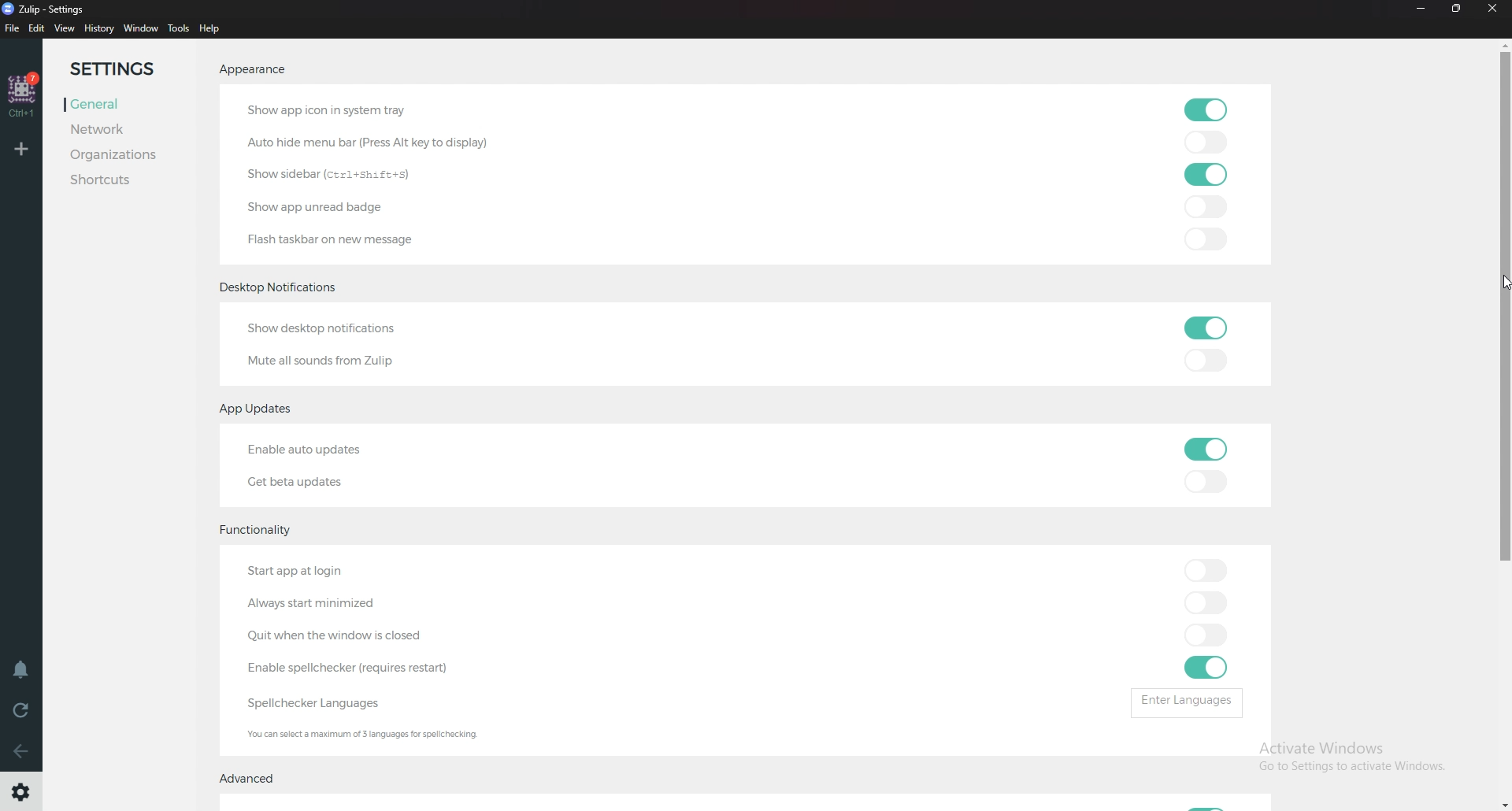 The width and height of the screenshot is (1512, 811). What do you see at coordinates (271, 69) in the screenshot?
I see `Appearance` at bounding box center [271, 69].